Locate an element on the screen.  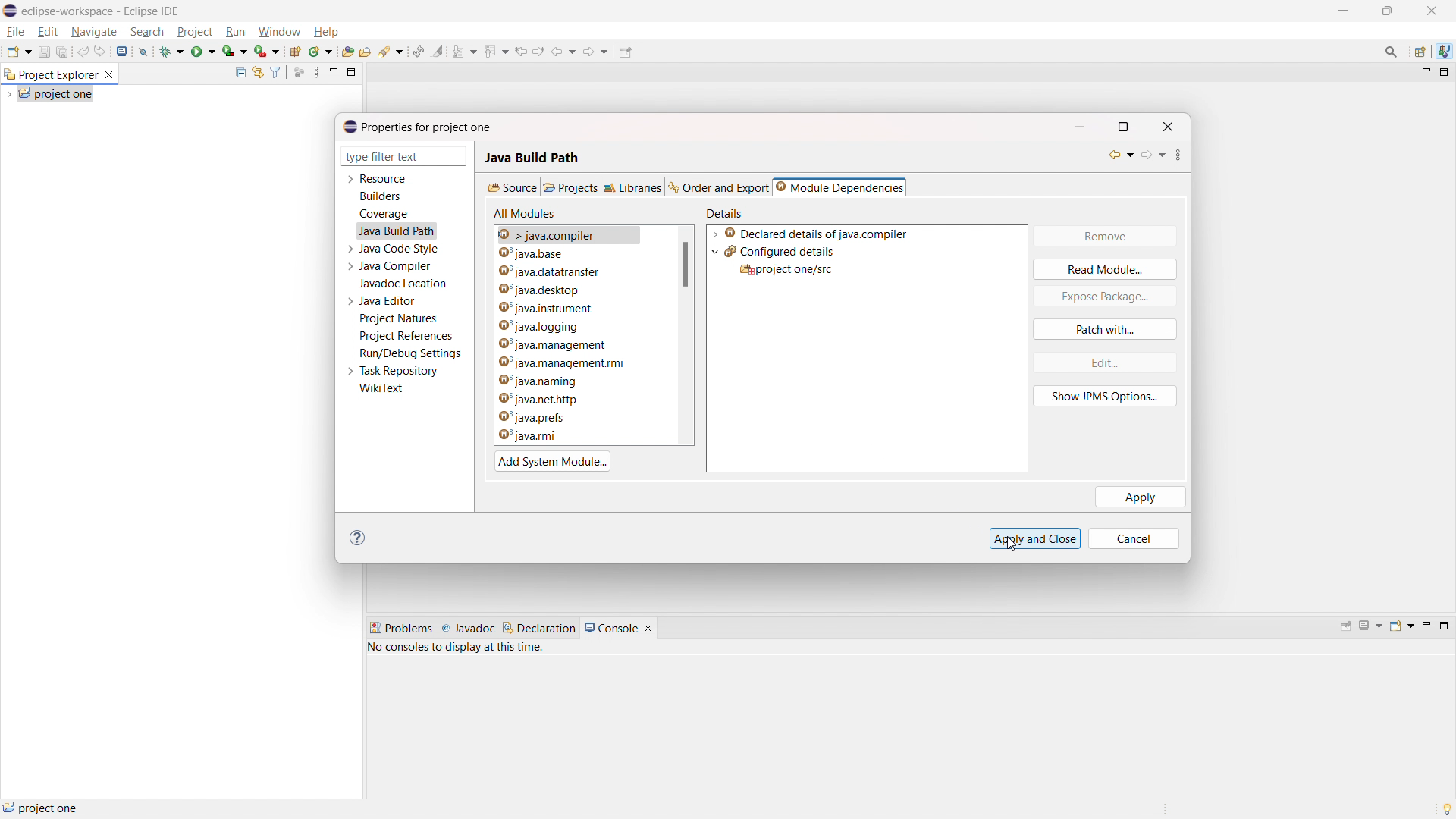
view next location is located at coordinates (538, 49).